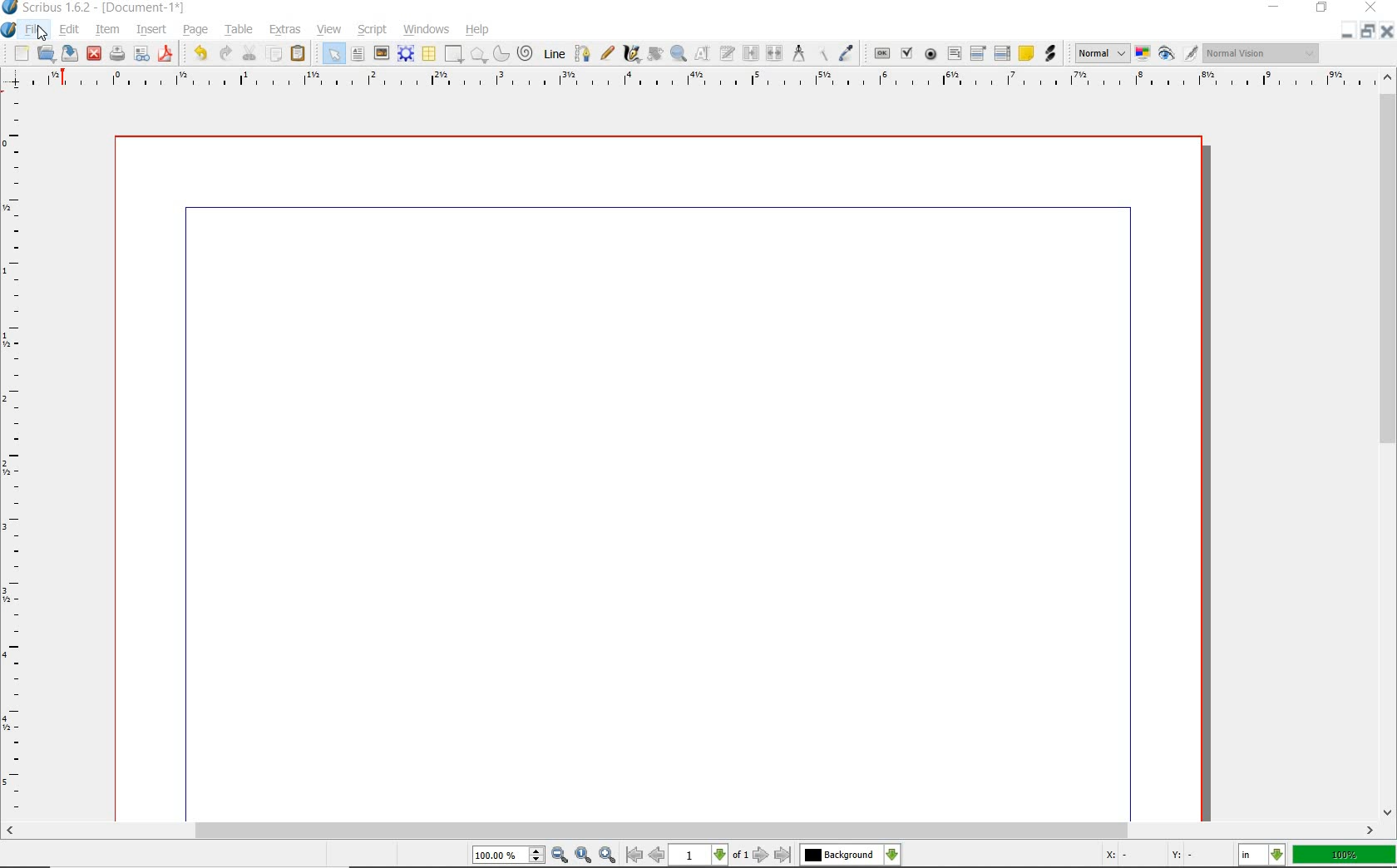 This screenshot has width=1397, height=868. Describe the element at coordinates (71, 29) in the screenshot. I see `edit` at that location.